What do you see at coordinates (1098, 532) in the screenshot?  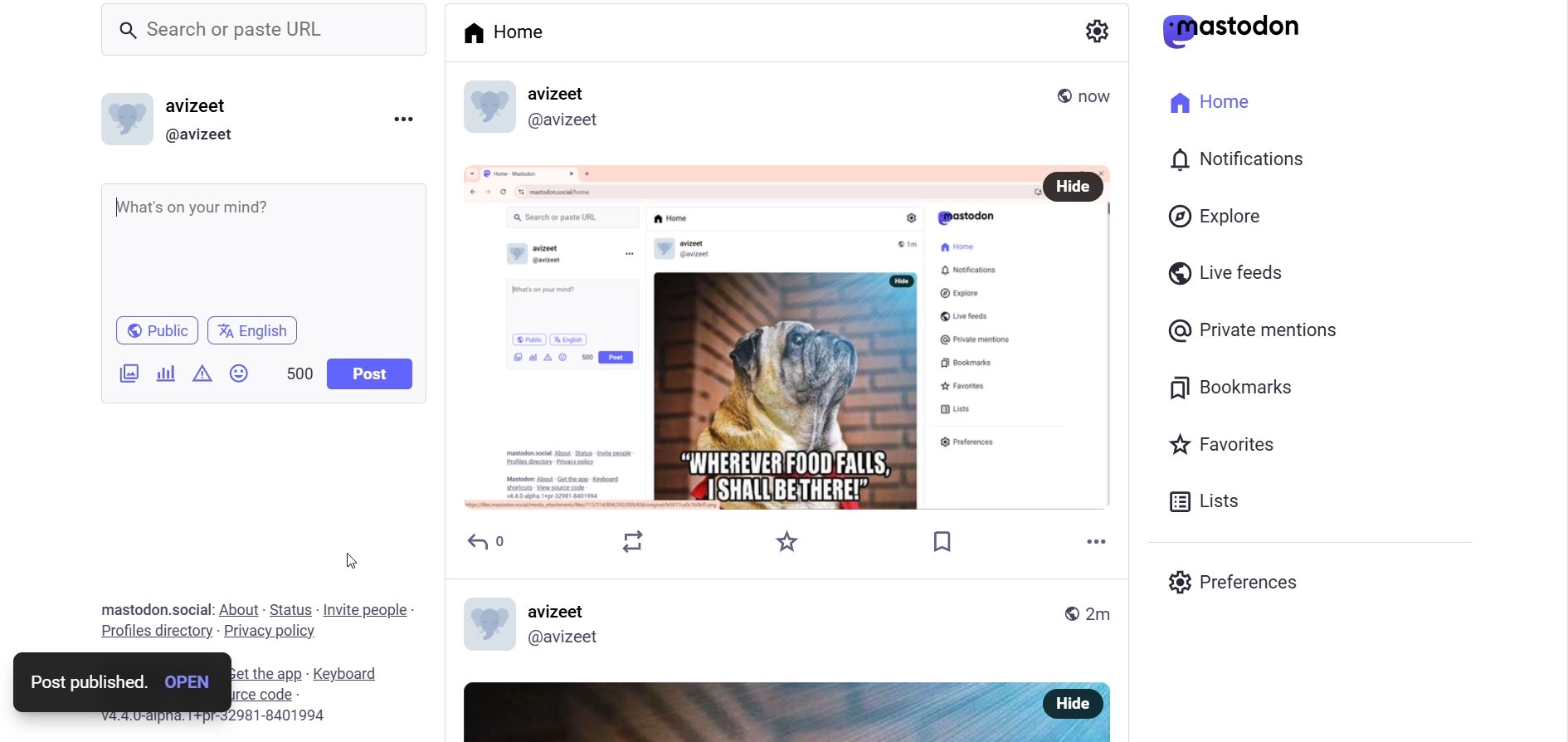 I see `More` at bounding box center [1098, 532].